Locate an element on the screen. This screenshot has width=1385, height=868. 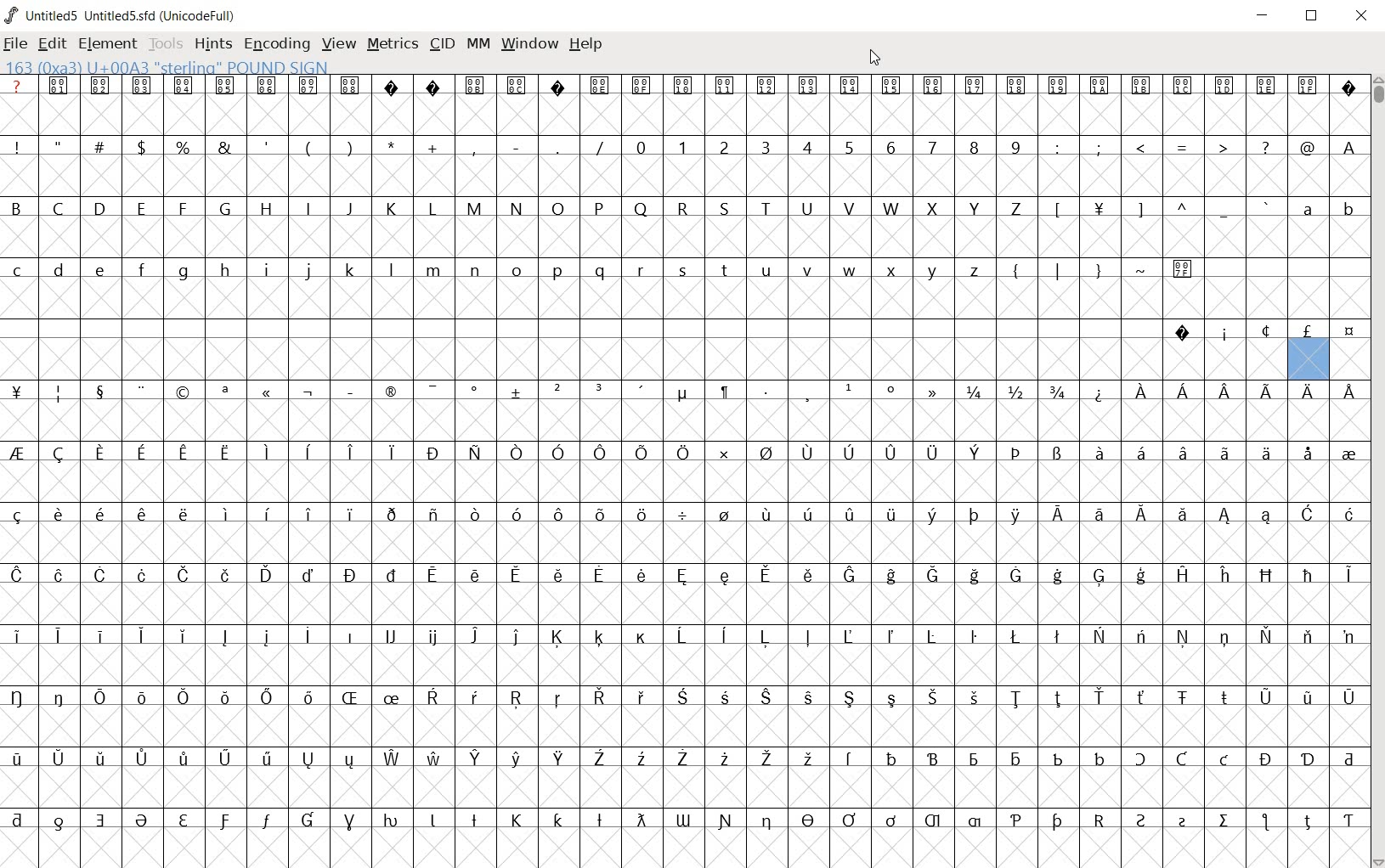
Symbol is located at coordinates (642, 574).